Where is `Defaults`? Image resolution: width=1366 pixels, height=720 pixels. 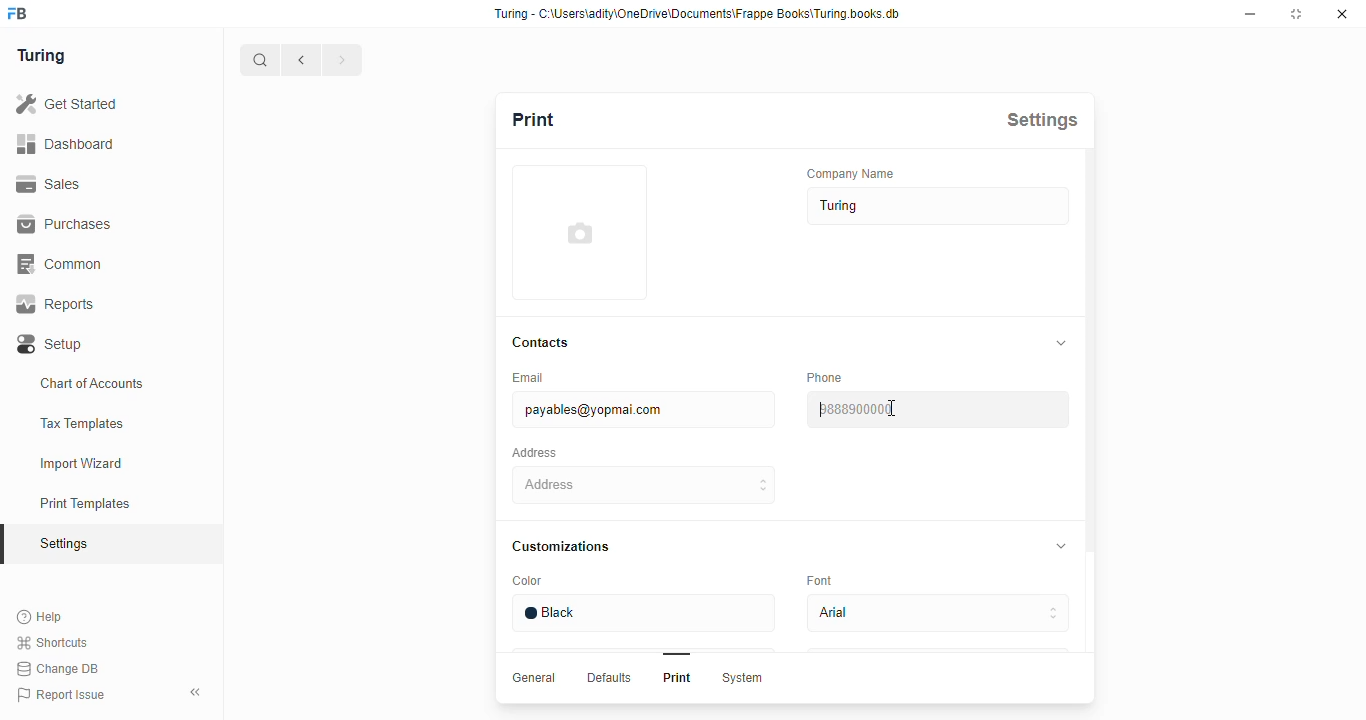
Defaults is located at coordinates (606, 678).